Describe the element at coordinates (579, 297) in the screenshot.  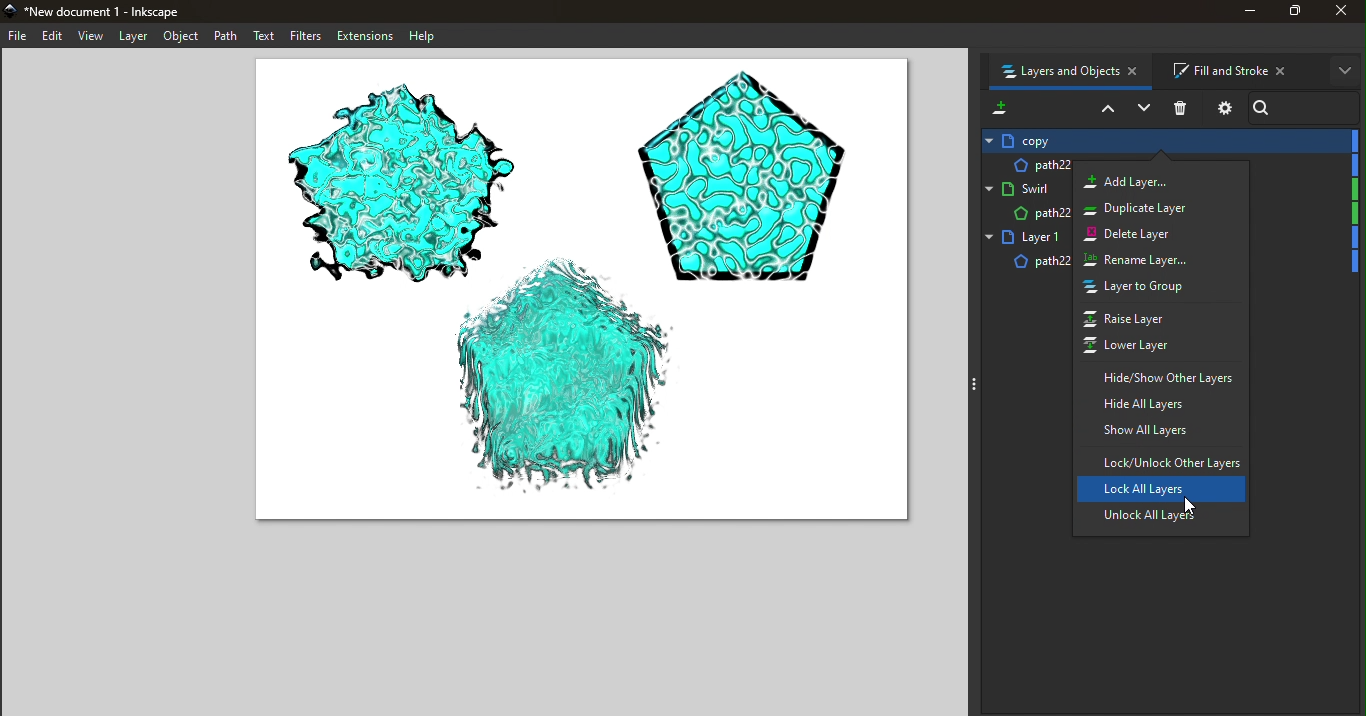
I see `Canvas showing different shapes` at that location.